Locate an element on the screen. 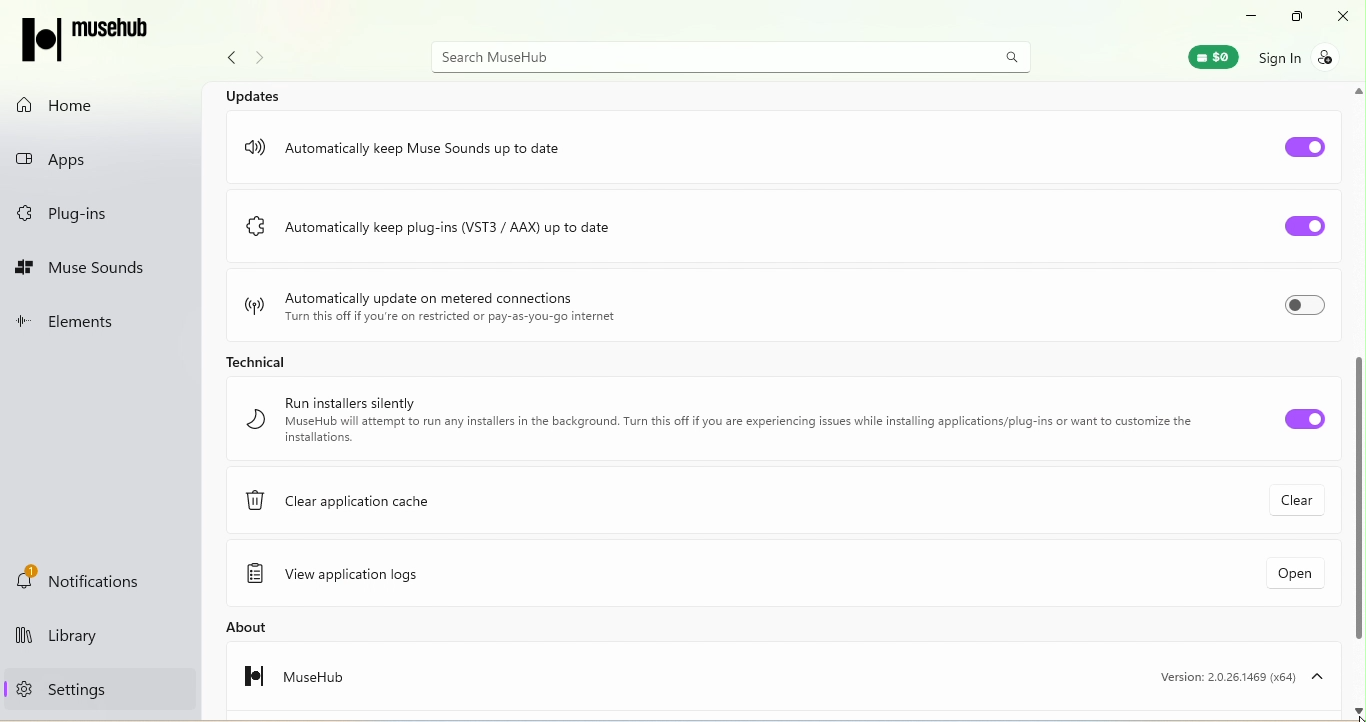 This screenshot has height=722, width=1366. Home is located at coordinates (66, 105).